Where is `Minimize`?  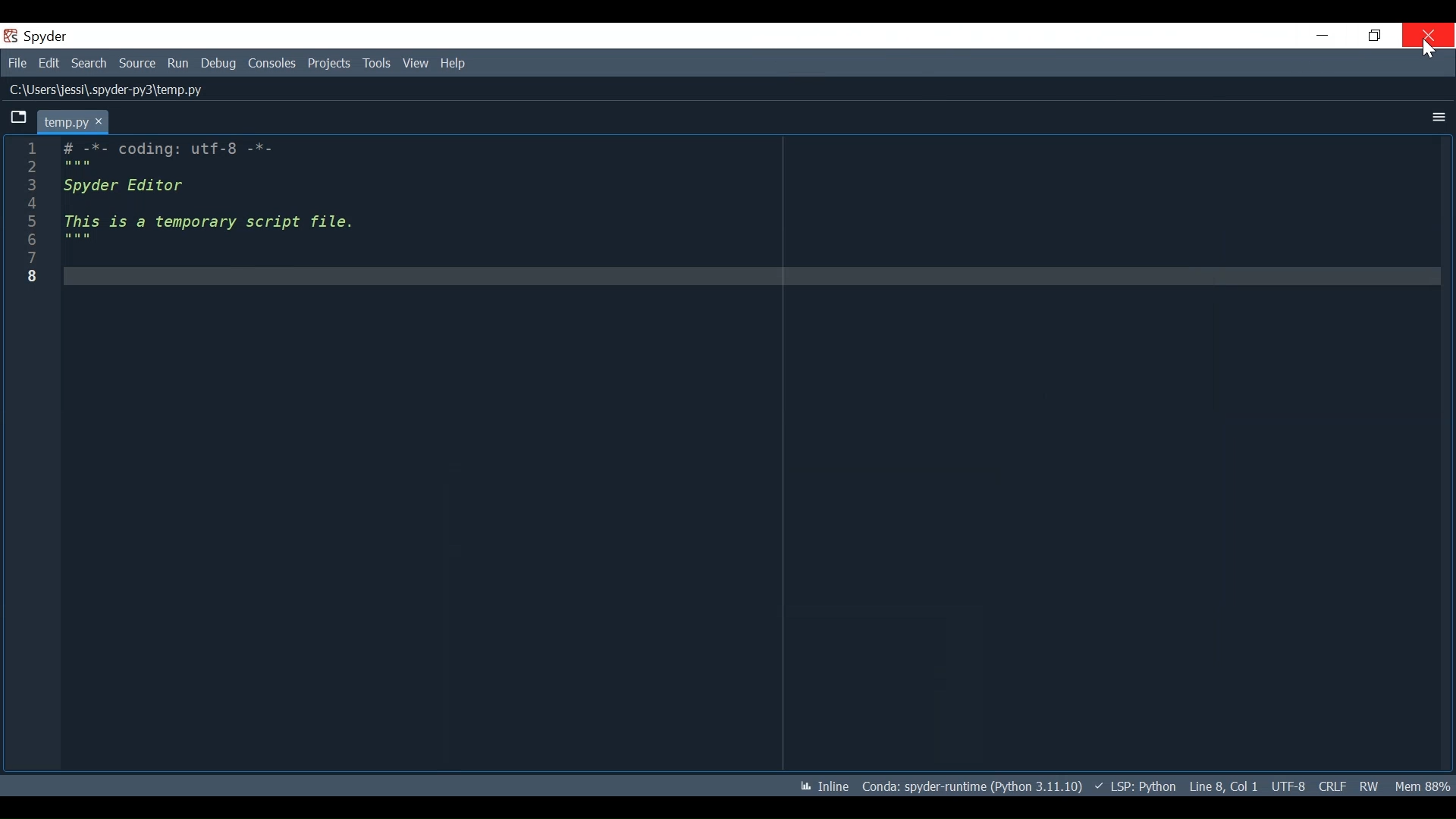 Minimize is located at coordinates (1322, 36).